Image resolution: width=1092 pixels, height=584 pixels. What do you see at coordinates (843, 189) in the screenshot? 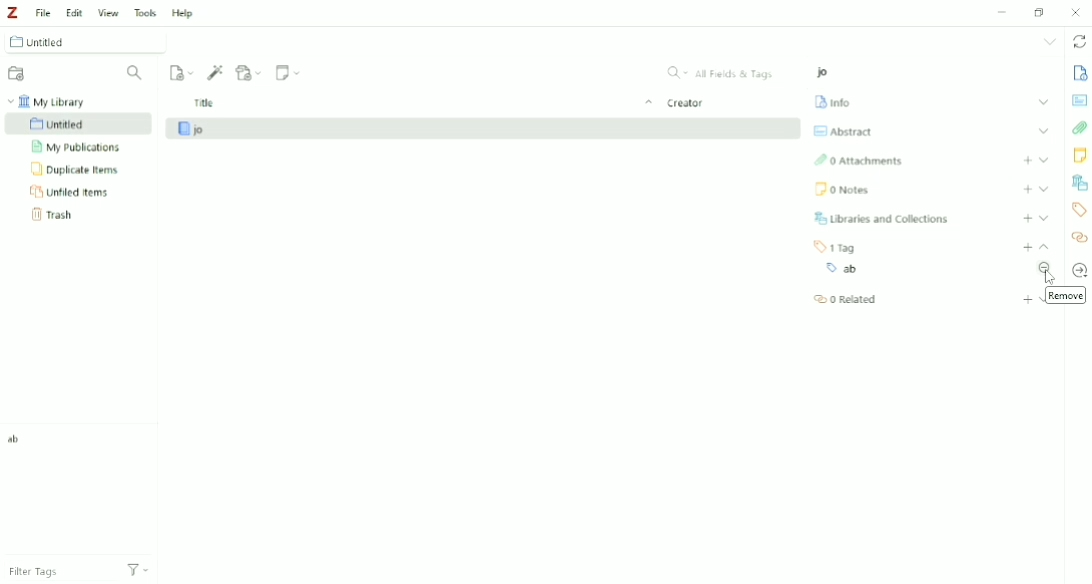
I see `Notes` at bounding box center [843, 189].